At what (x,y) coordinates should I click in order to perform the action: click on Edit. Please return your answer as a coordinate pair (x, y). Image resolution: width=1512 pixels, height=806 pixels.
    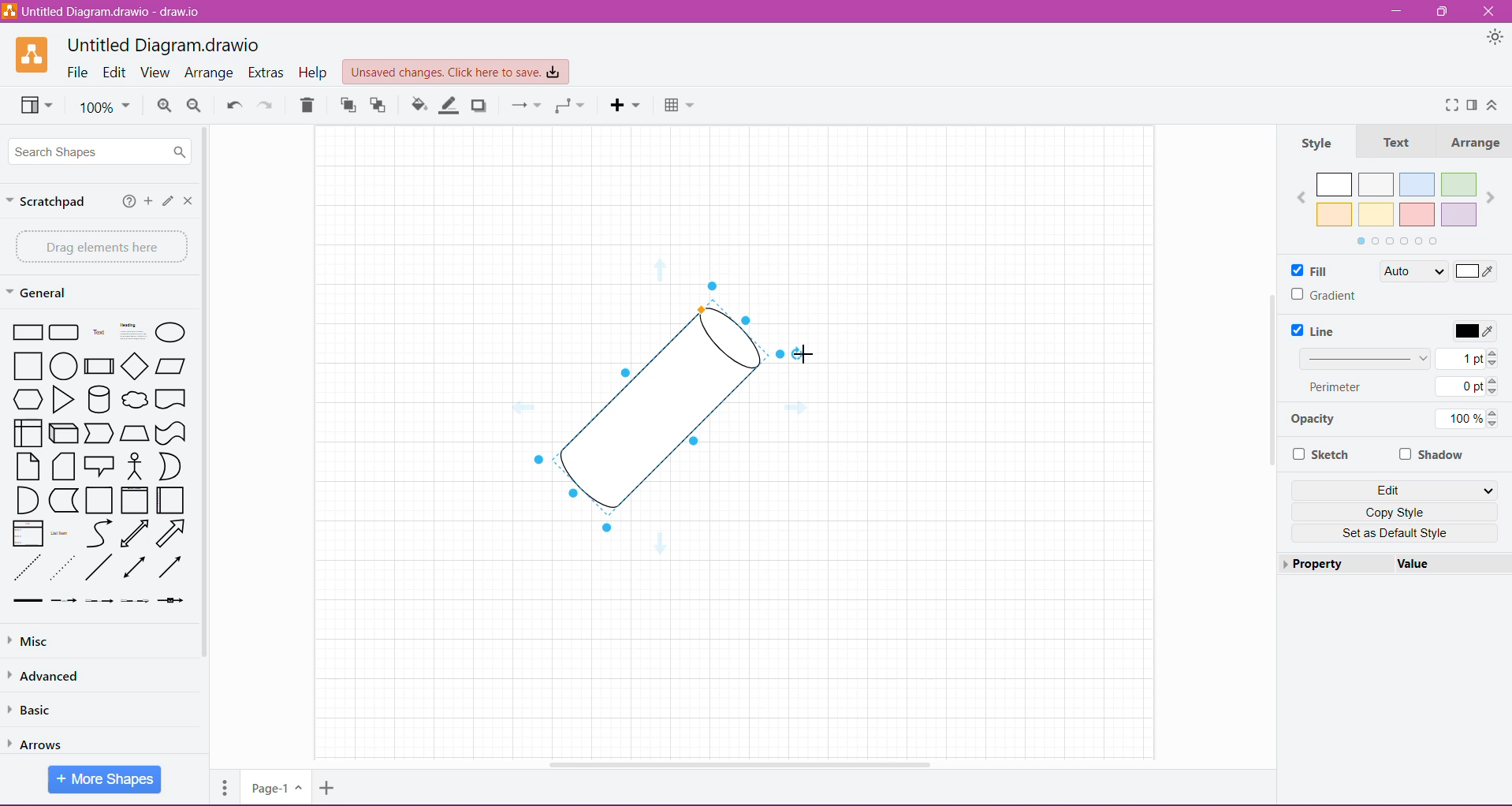
    Looking at the image, I should click on (1398, 489).